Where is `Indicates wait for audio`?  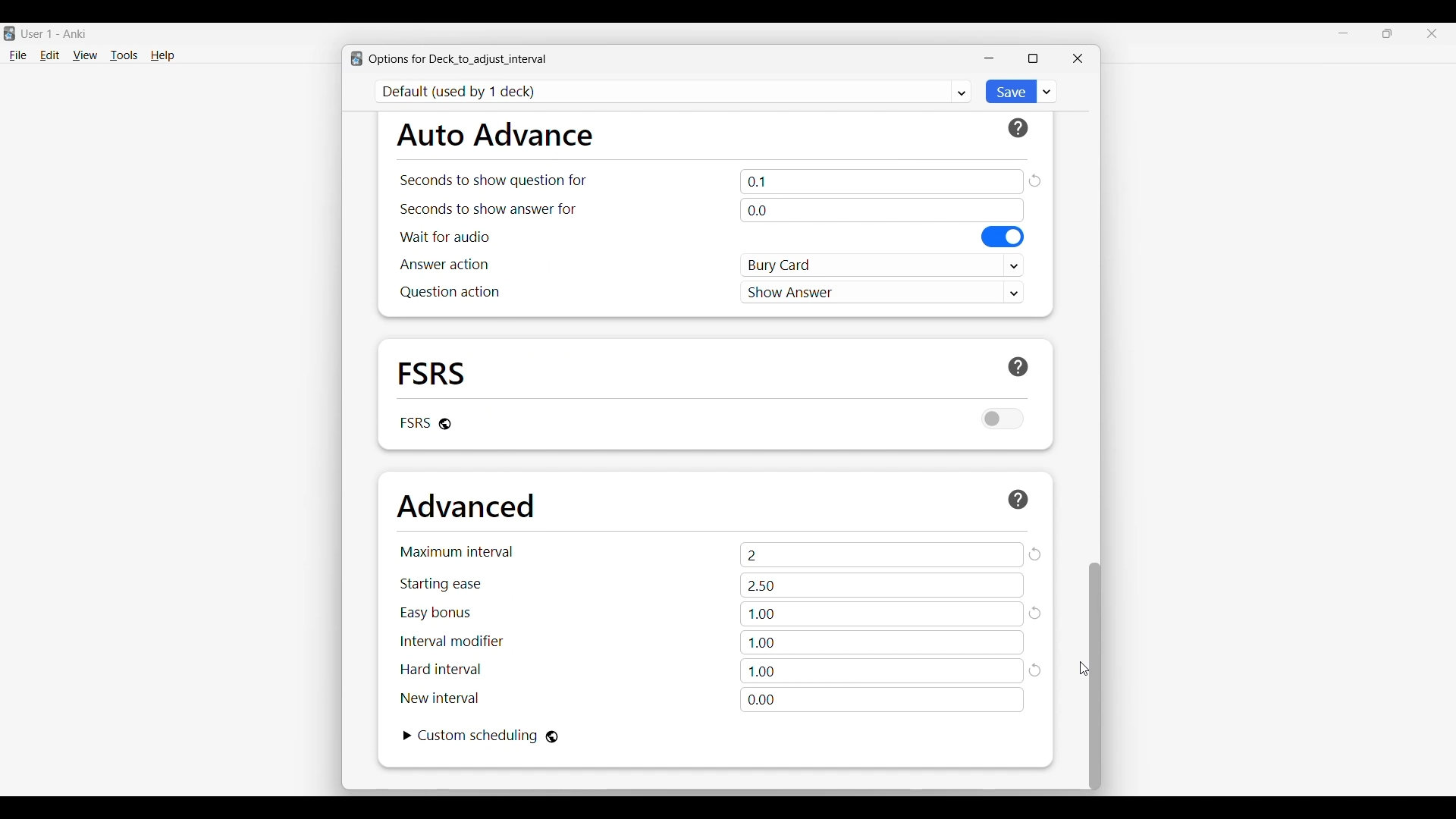 Indicates wait for audio is located at coordinates (445, 237).